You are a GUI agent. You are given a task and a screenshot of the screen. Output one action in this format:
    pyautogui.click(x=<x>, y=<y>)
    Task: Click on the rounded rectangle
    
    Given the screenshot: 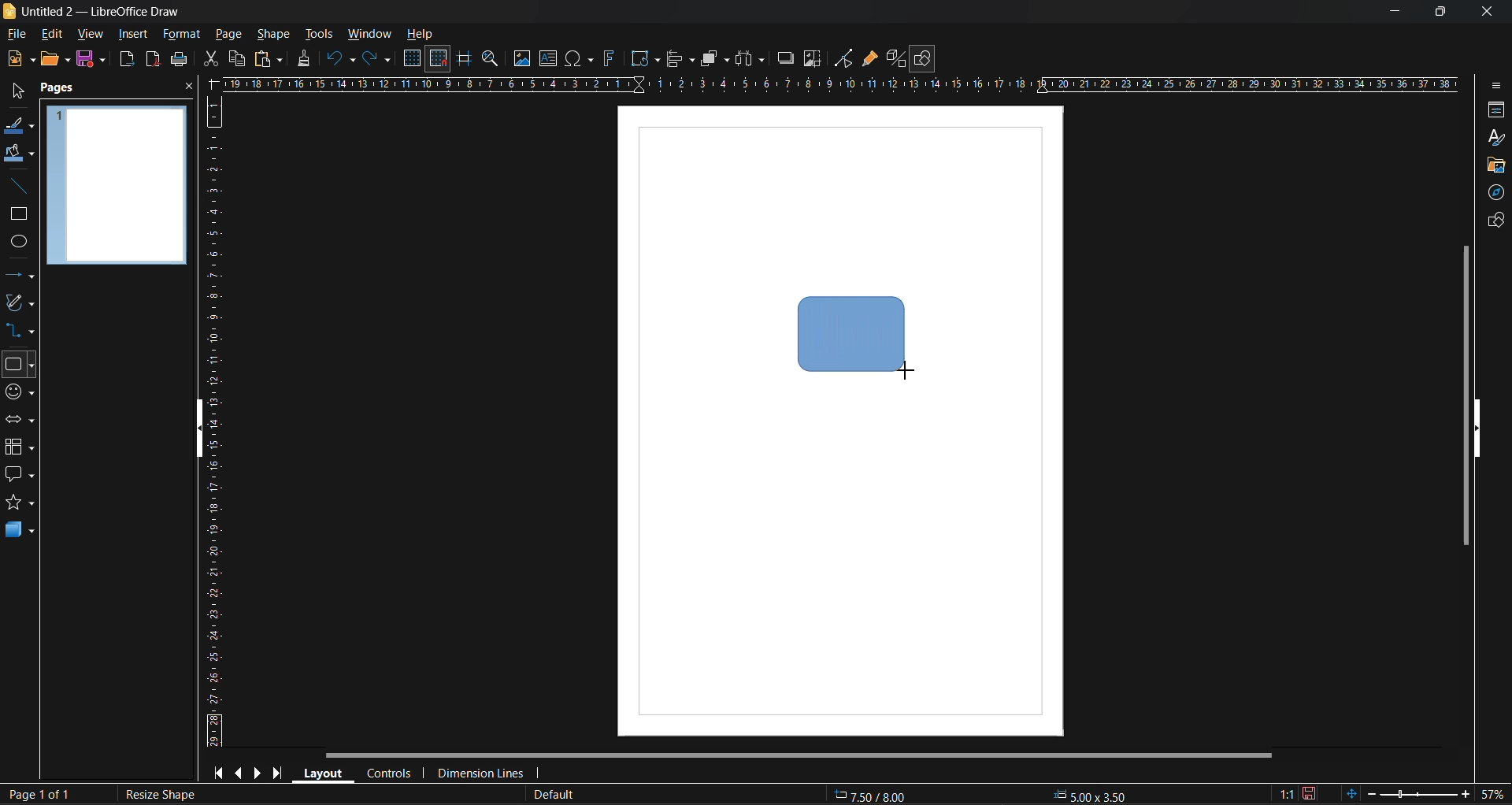 What is the action you would take?
    pyautogui.click(x=850, y=331)
    